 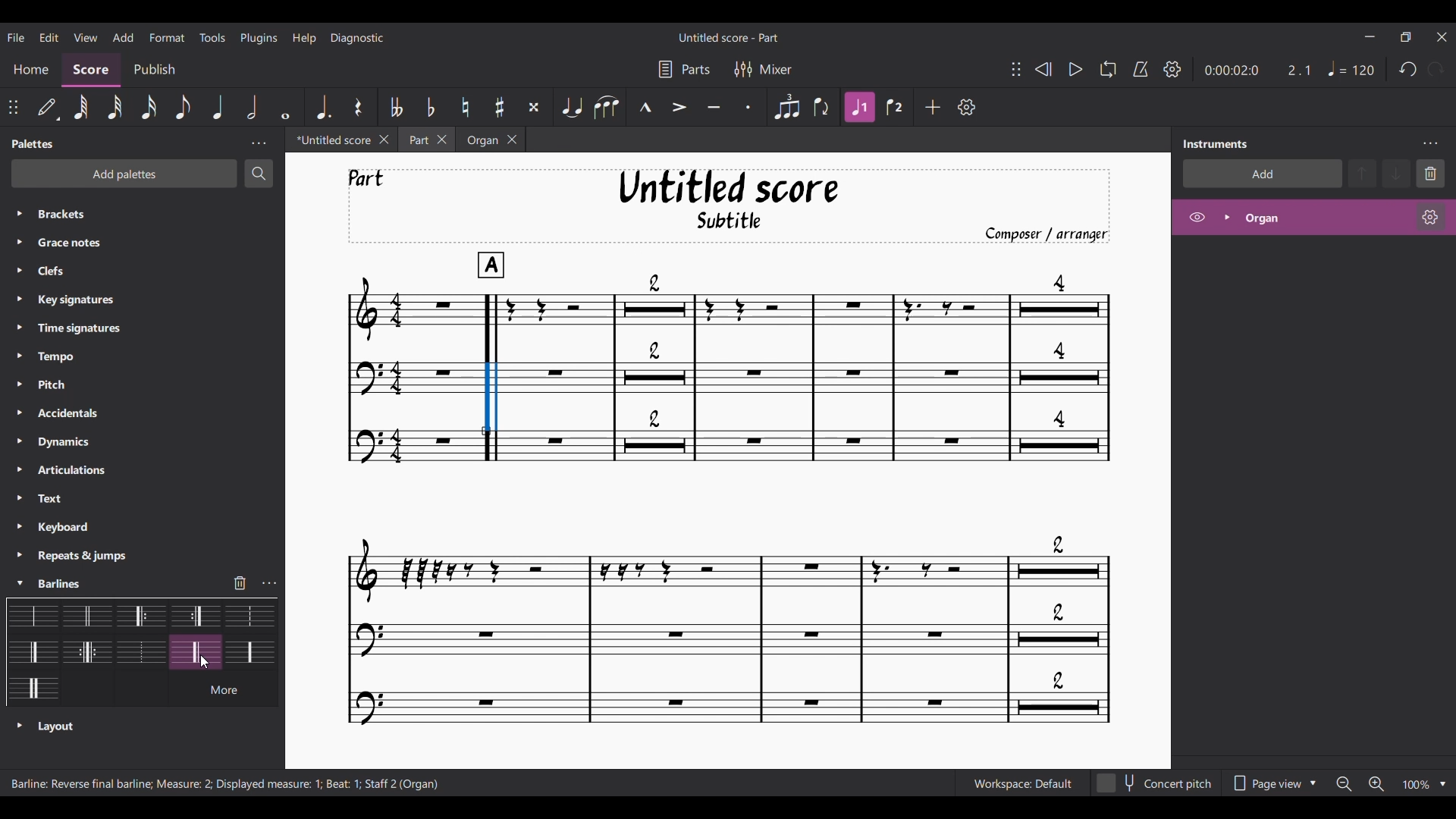 I want to click on View menu, so click(x=86, y=36).